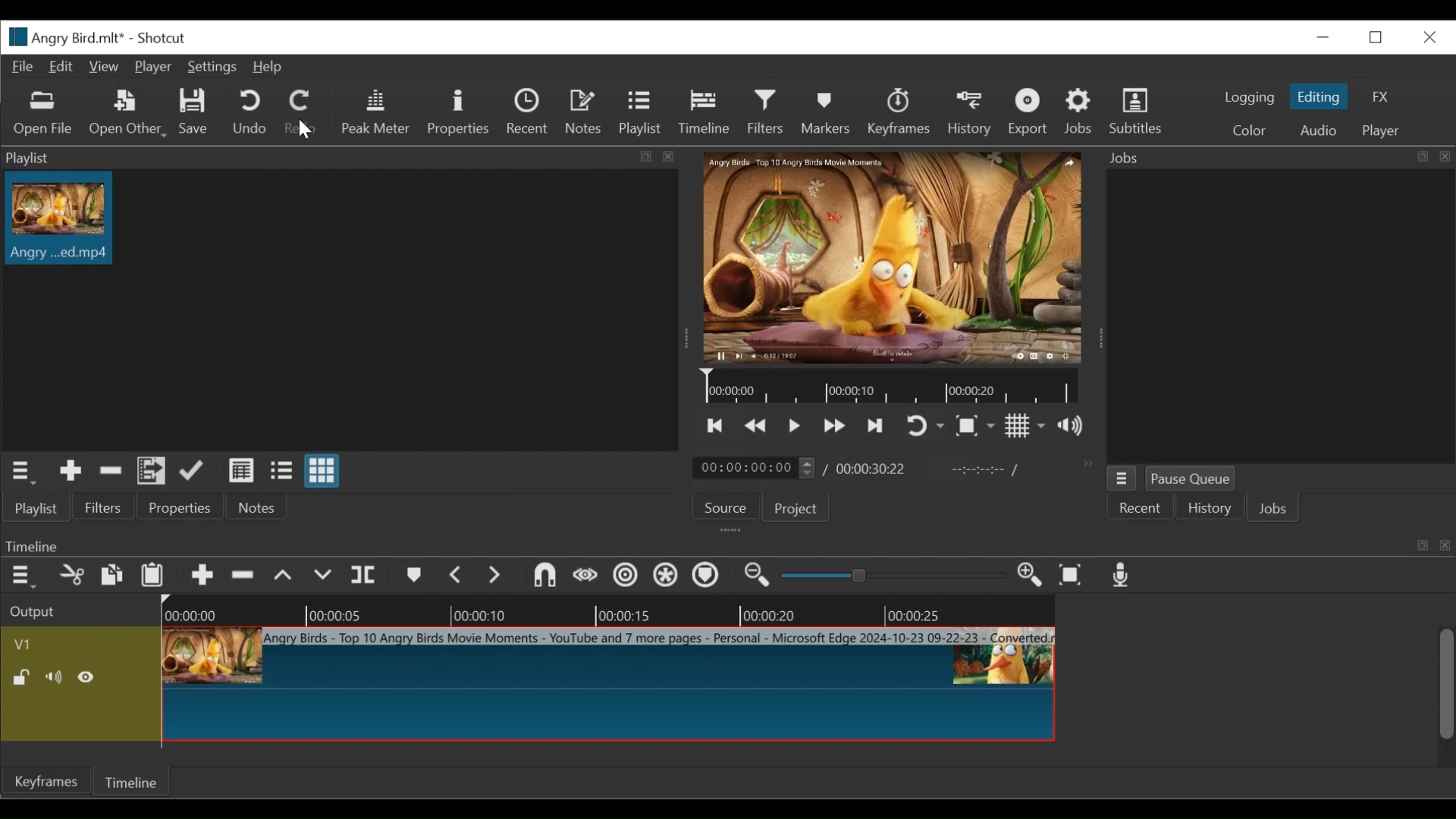  Describe the element at coordinates (890, 387) in the screenshot. I see `Timeline` at that location.